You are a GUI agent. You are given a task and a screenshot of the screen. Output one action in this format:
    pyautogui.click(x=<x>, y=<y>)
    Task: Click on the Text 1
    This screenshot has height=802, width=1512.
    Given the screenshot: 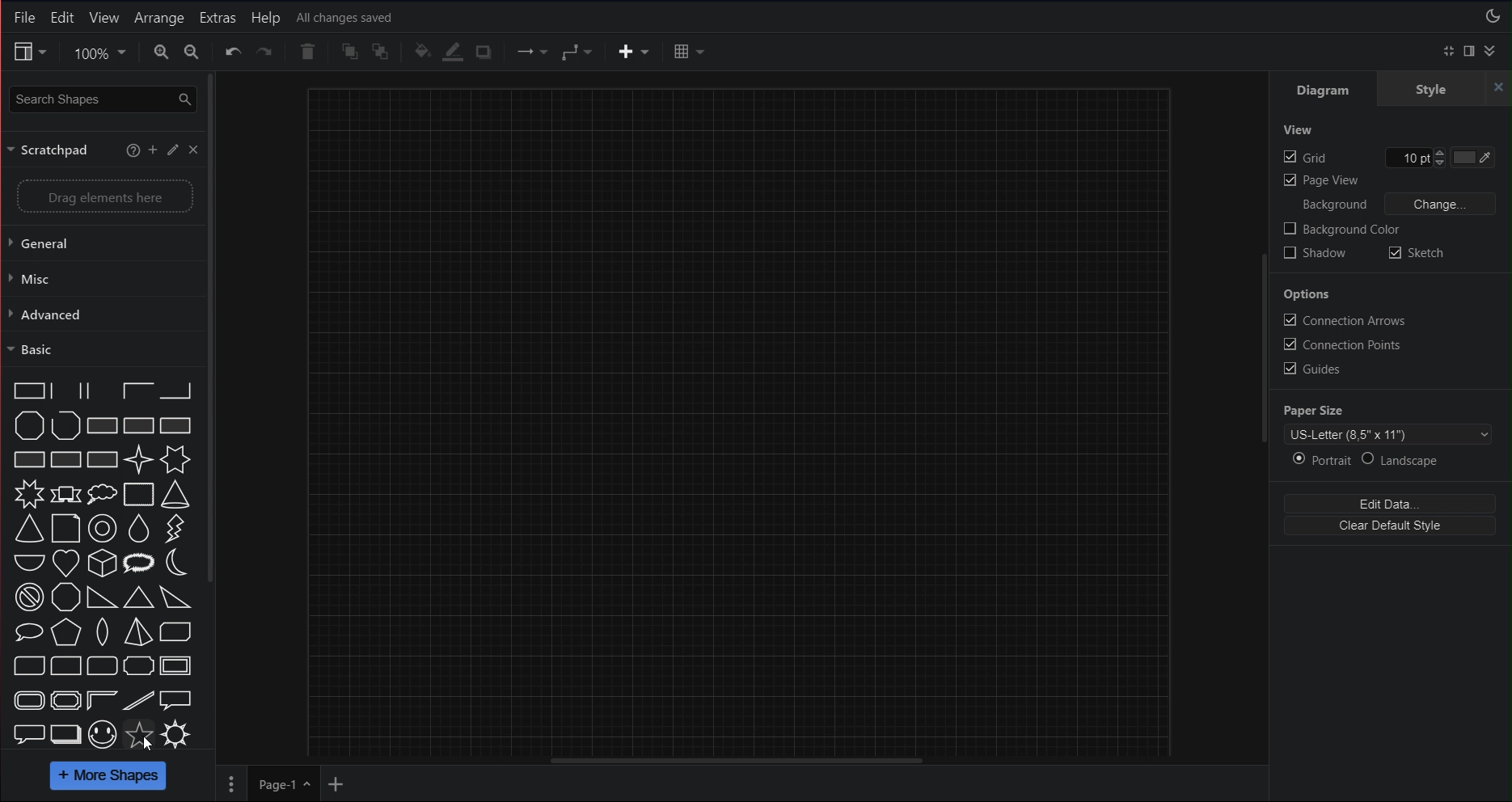 What is the action you would take?
    pyautogui.click(x=348, y=18)
    